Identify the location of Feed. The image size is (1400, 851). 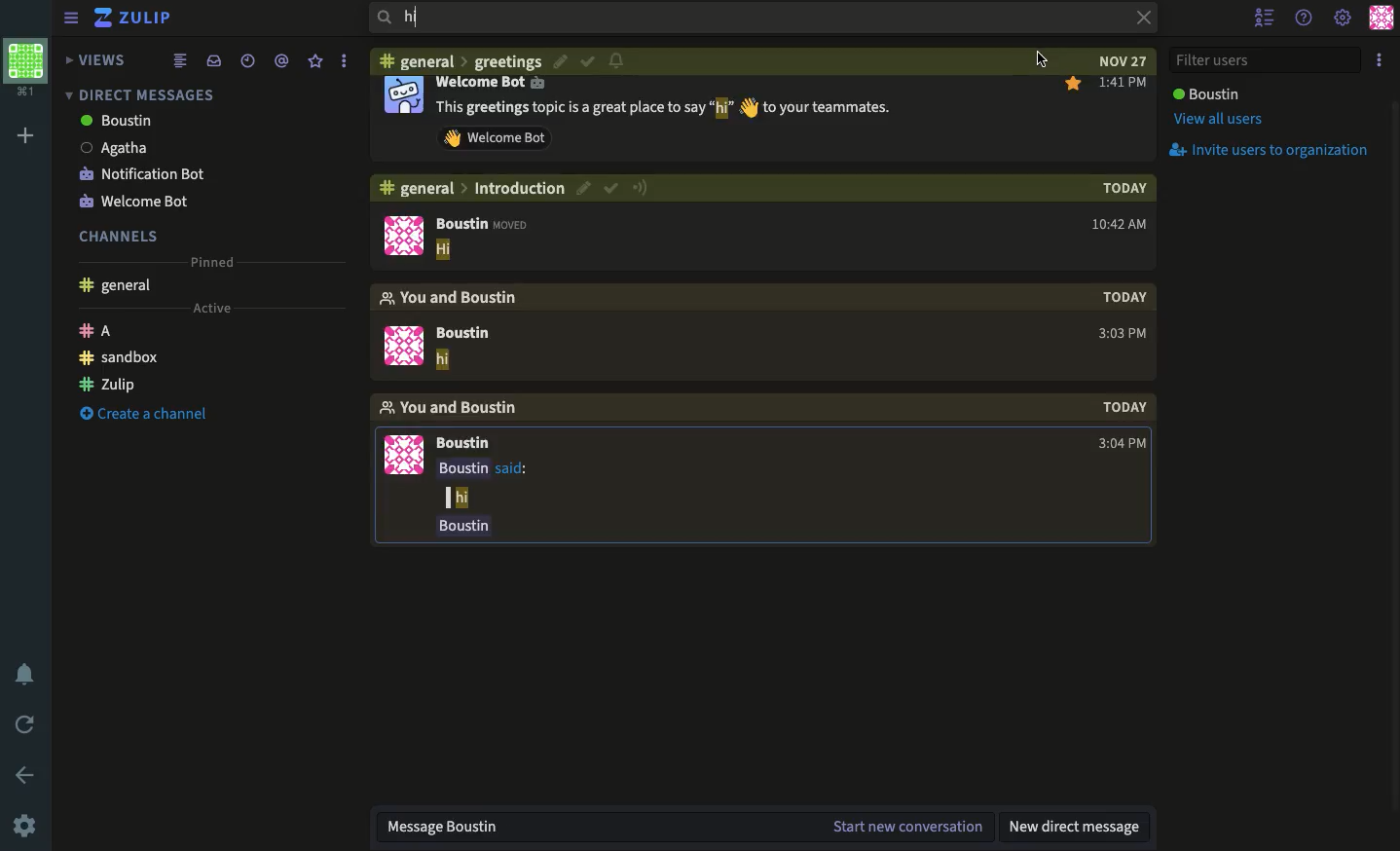
(178, 62).